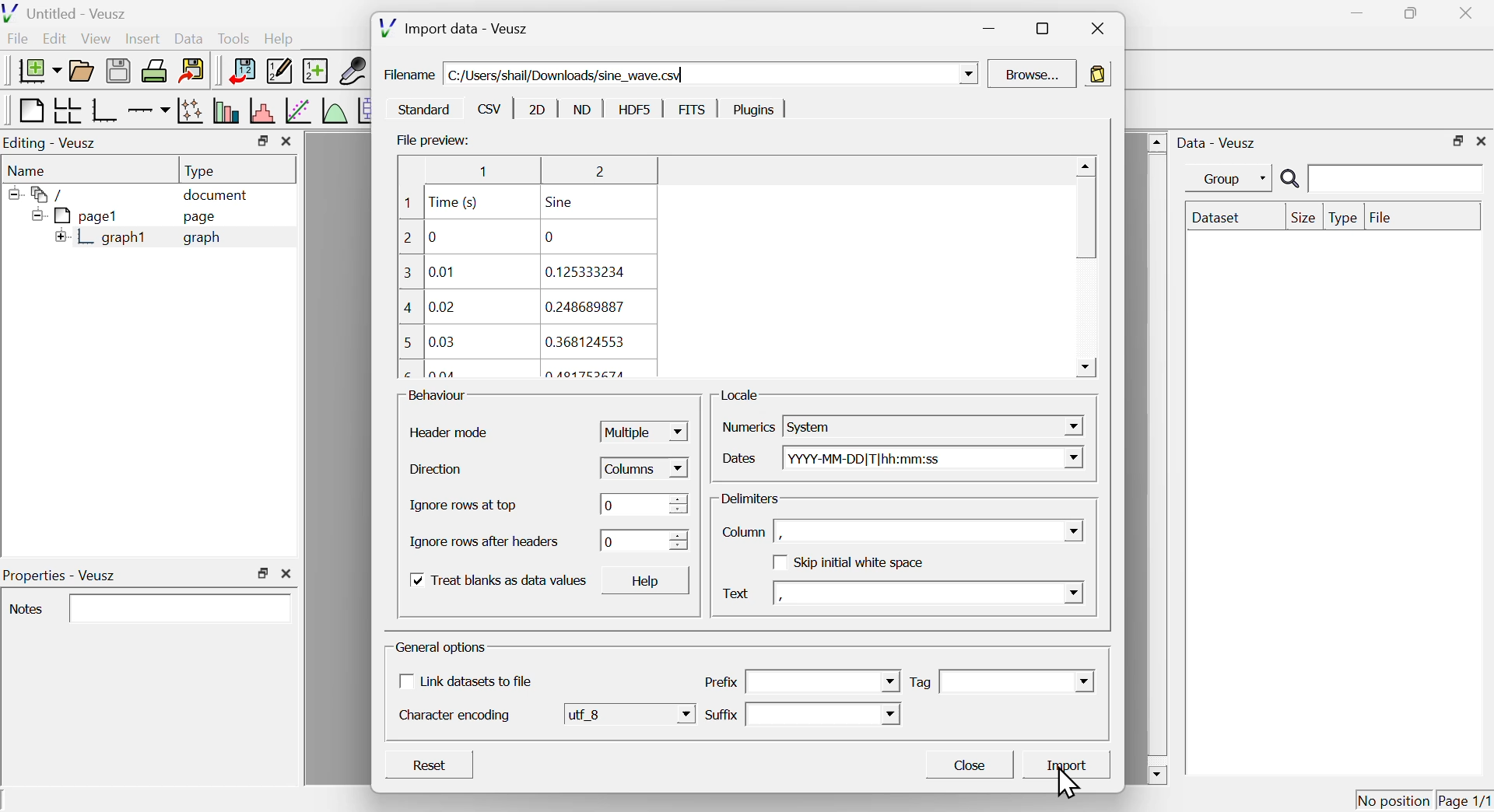 The image size is (1494, 812). What do you see at coordinates (1035, 74) in the screenshot?
I see `browse` at bounding box center [1035, 74].